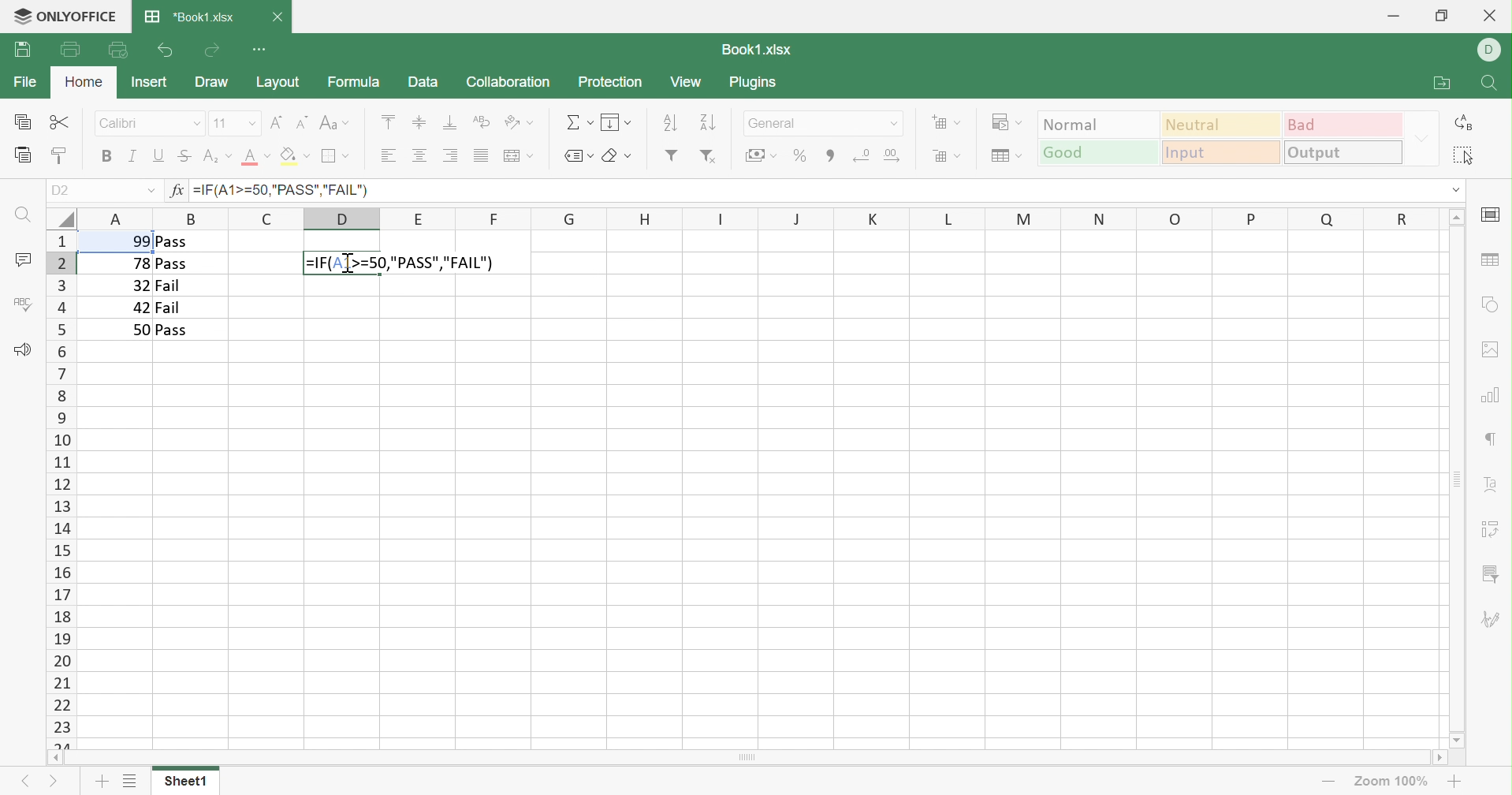 The width and height of the screenshot is (1512, 795). Describe the element at coordinates (421, 155) in the screenshot. I see `Align middle` at that location.